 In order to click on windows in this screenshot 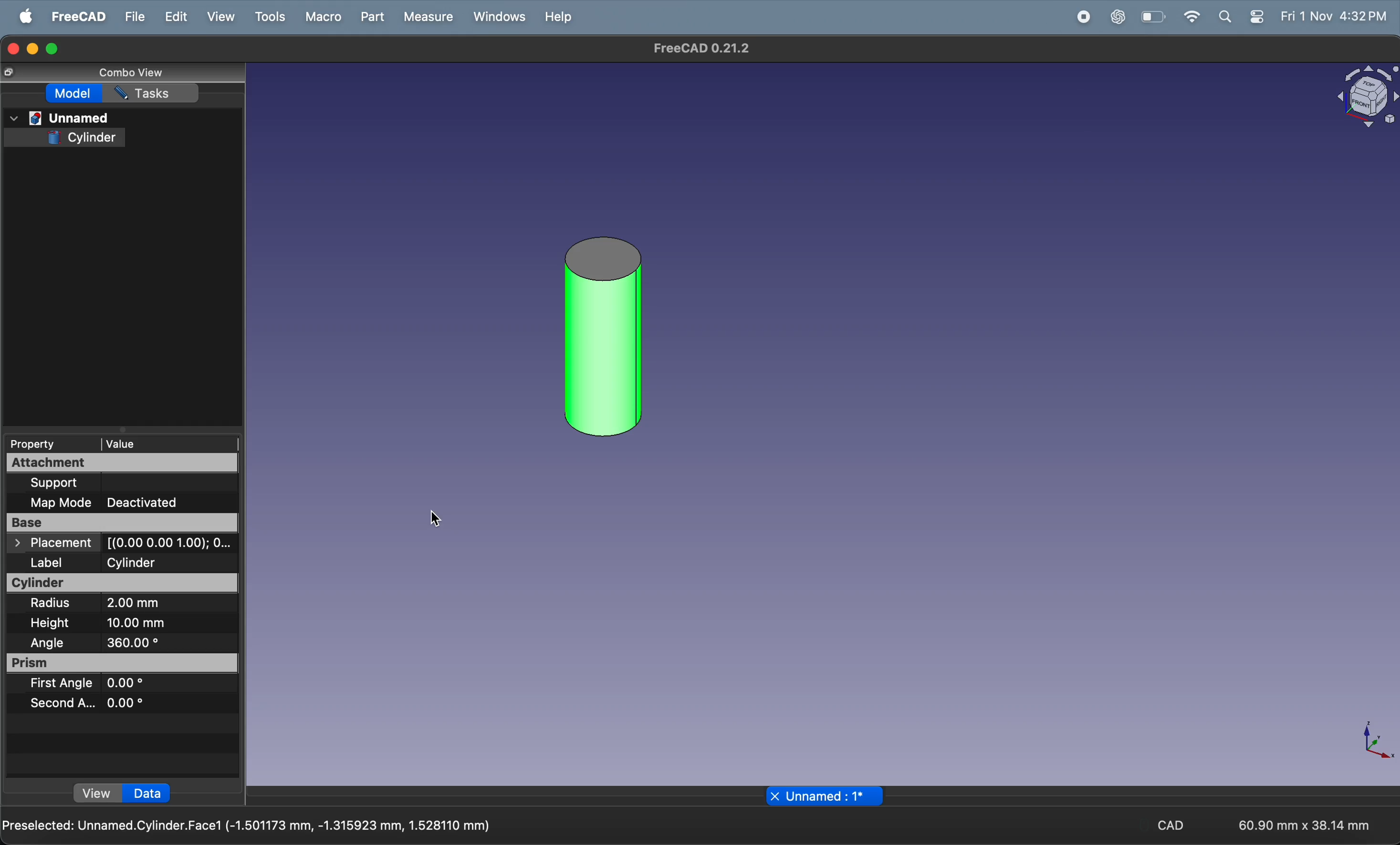, I will do `click(495, 18)`.